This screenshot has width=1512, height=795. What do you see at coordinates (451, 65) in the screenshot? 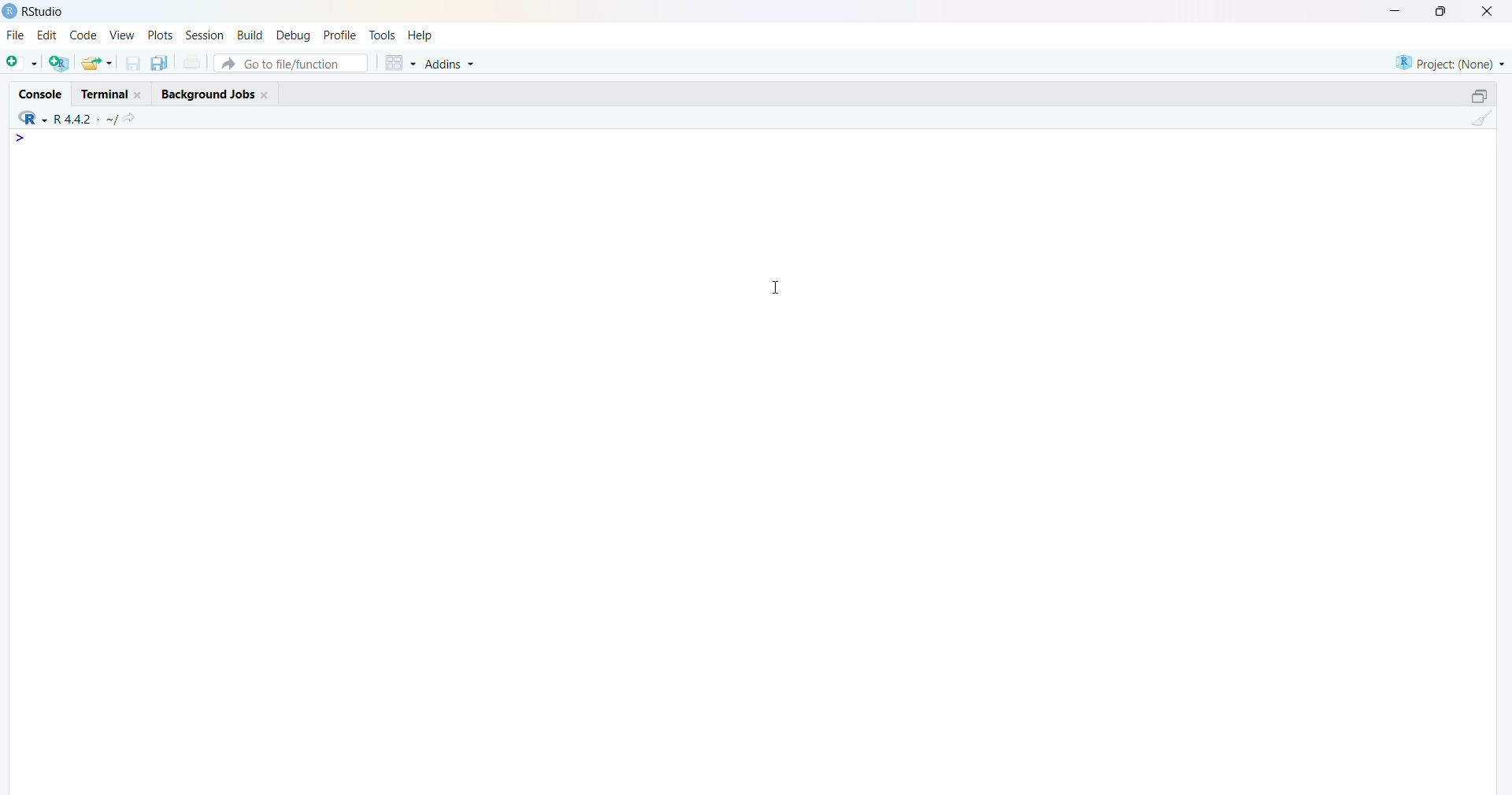
I see `addins` at bounding box center [451, 65].